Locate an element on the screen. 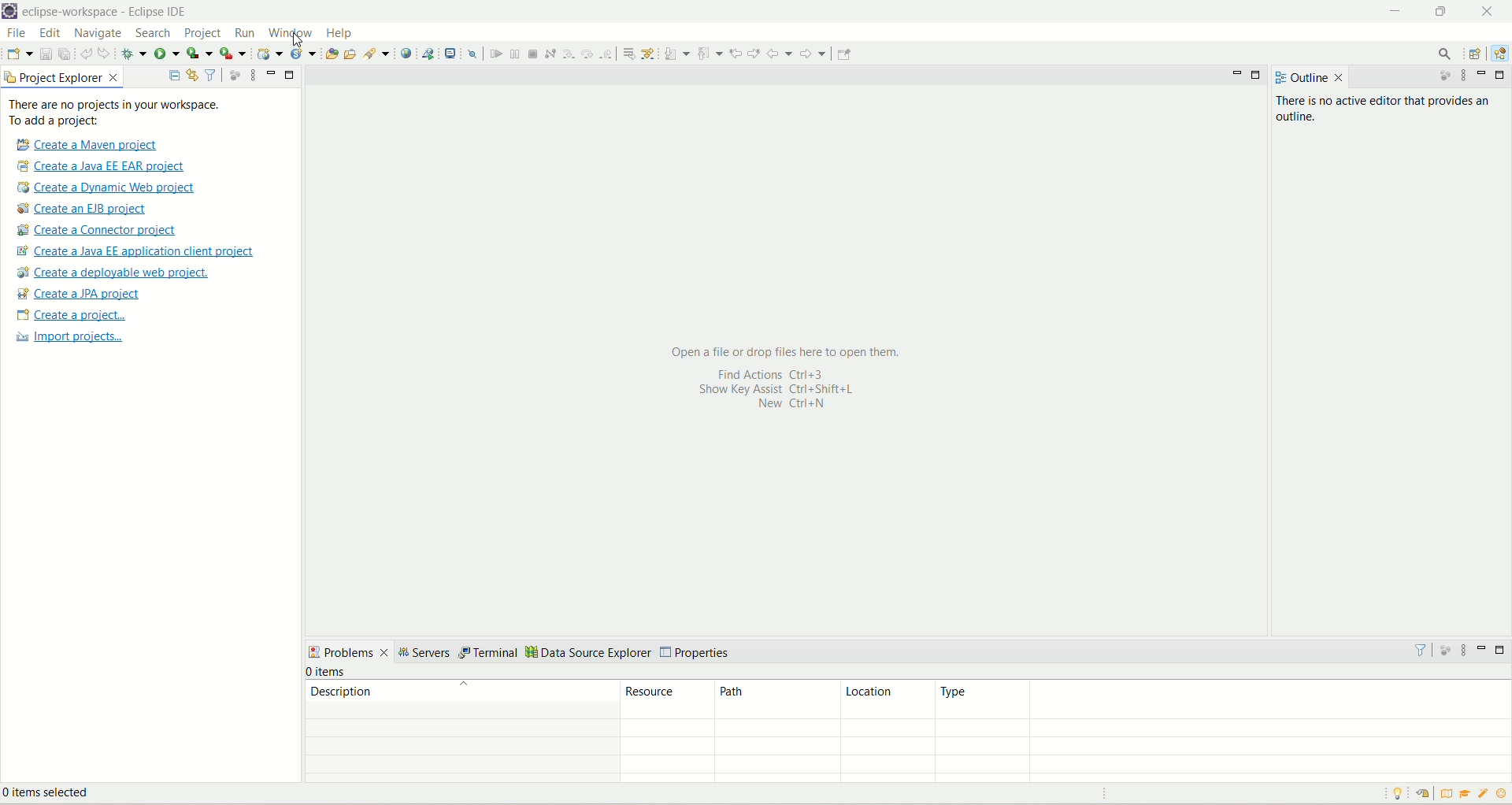  New ctrl+N is located at coordinates (784, 406).